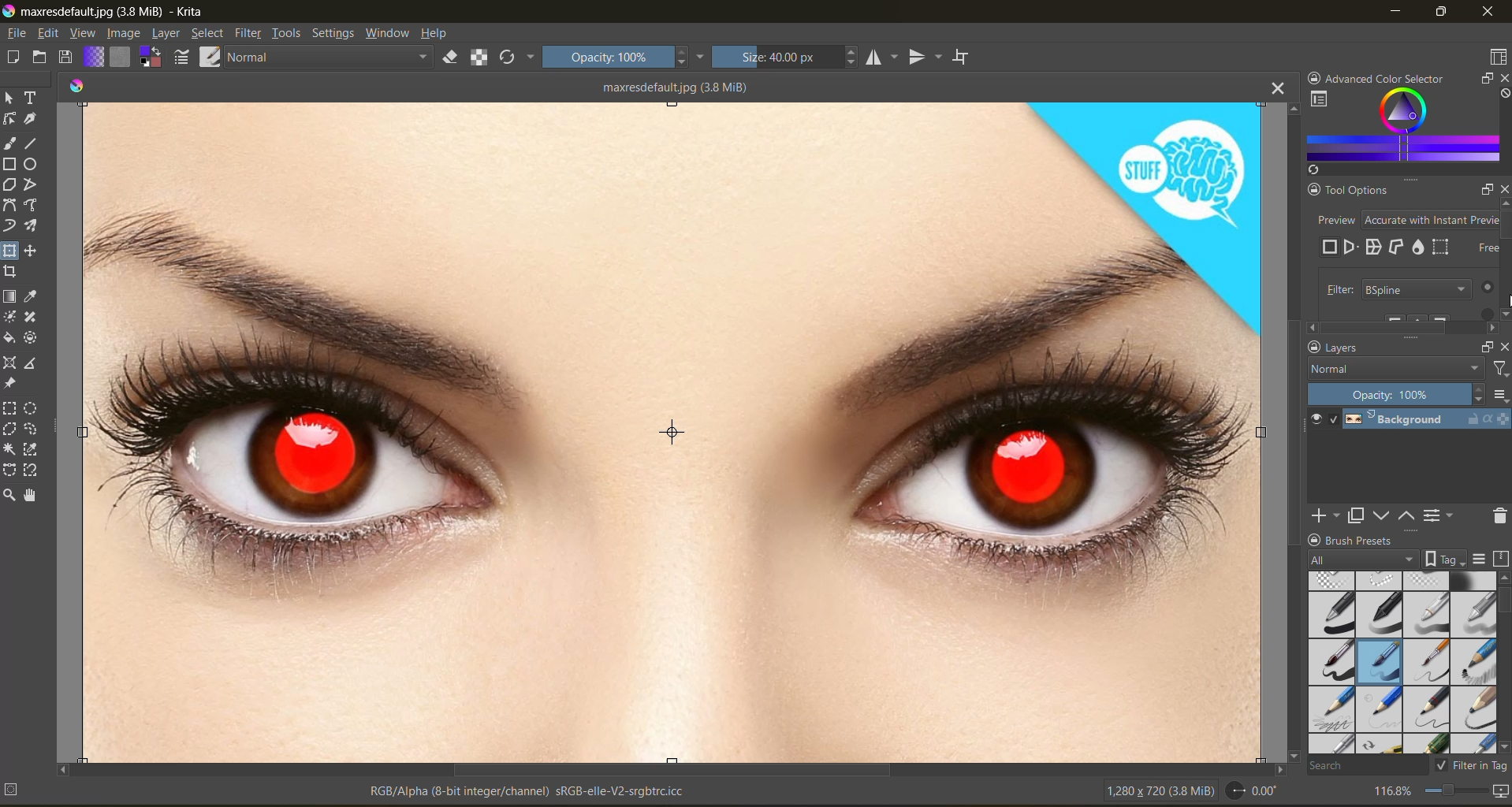 This screenshot has width=1512, height=807. Describe the element at coordinates (82, 33) in the screenshot. I see `view` at that location.